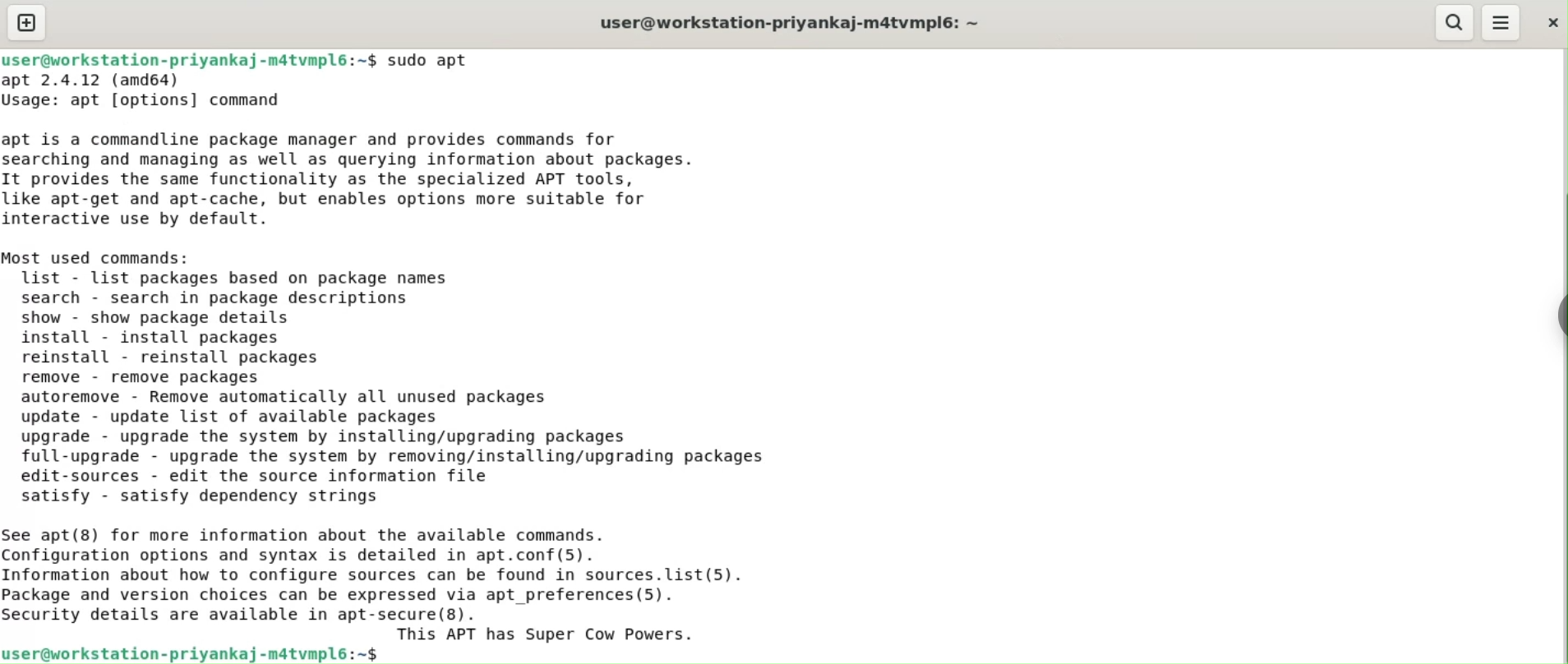  I want to click on user@workstation-priyankaj-m4tvmplé: ~, so click(800, 25).